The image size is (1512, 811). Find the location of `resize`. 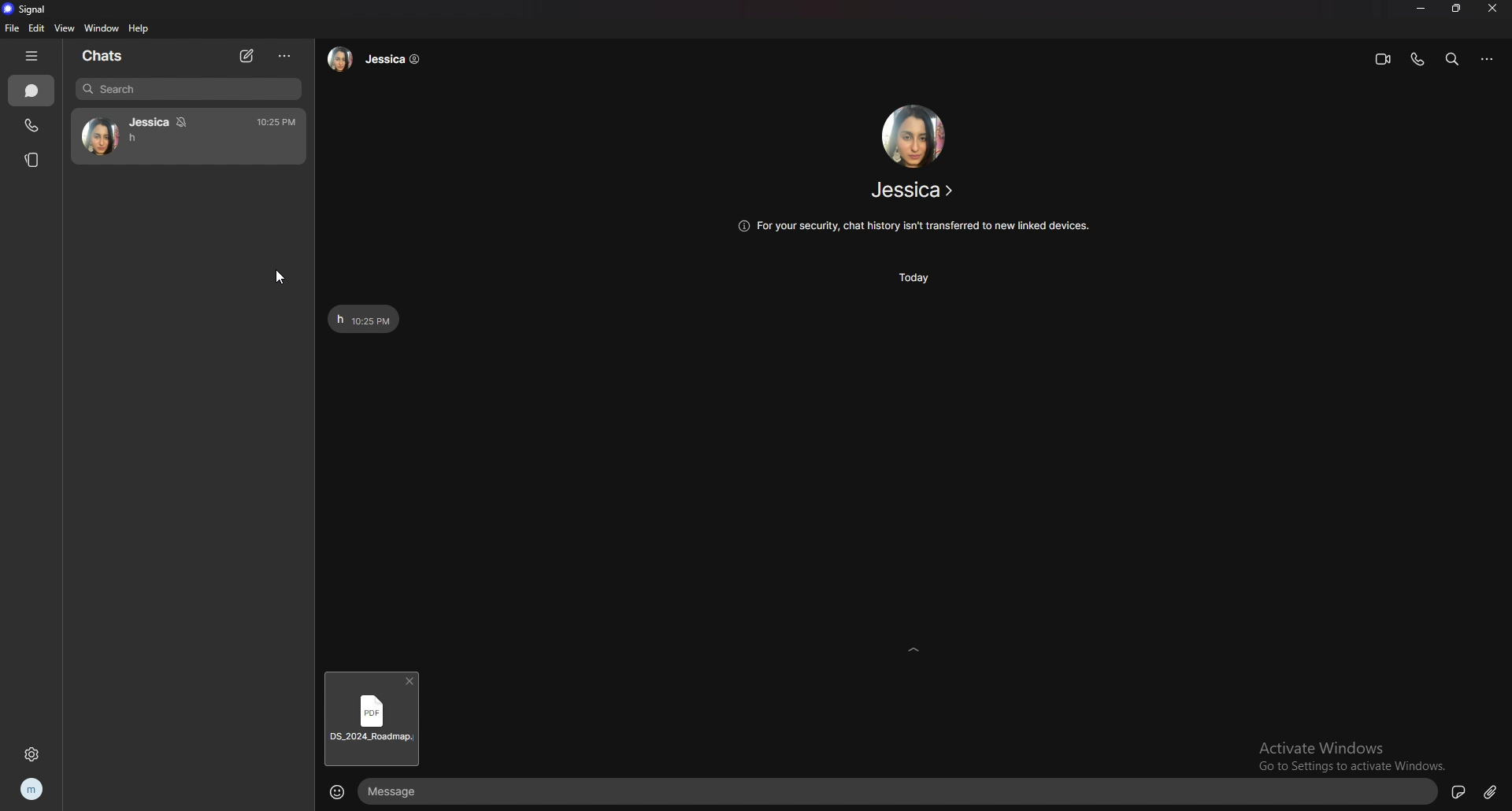

resize is located at coordinates (1457, 9).